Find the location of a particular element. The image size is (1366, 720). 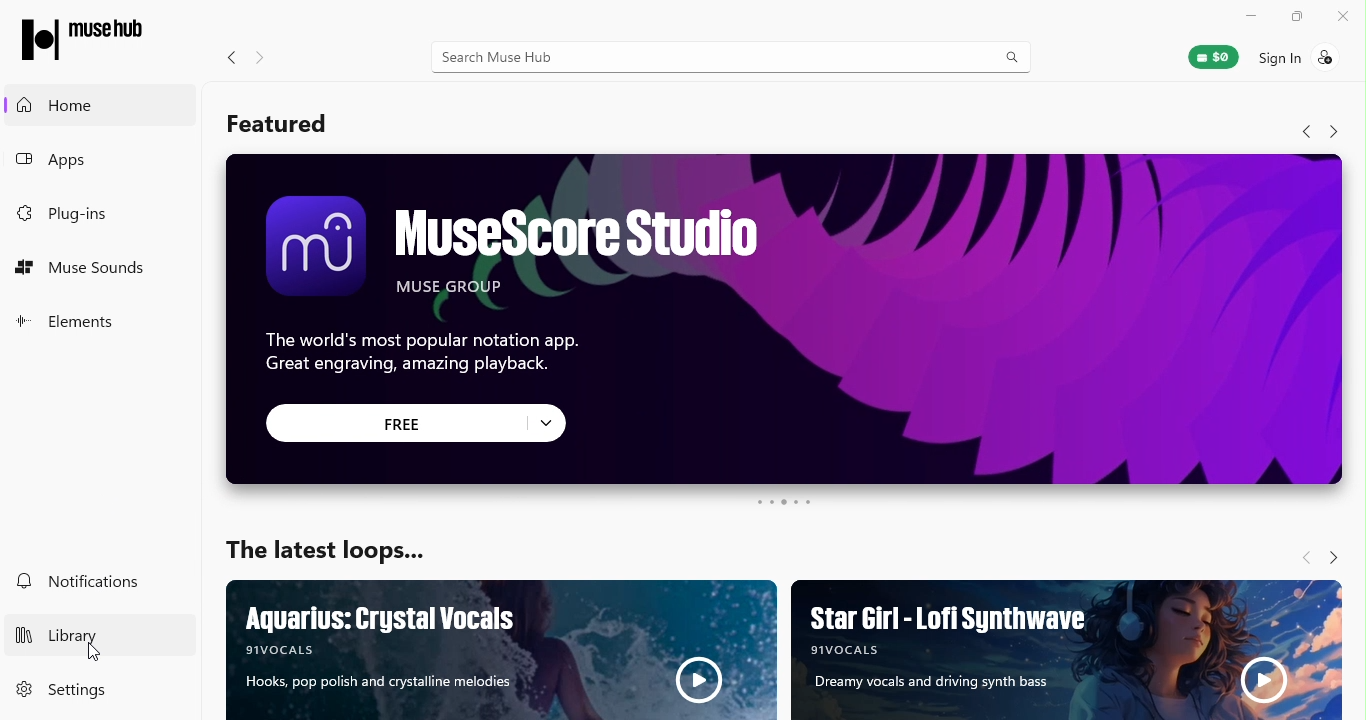

Elements is located at coordinates (78, 322).